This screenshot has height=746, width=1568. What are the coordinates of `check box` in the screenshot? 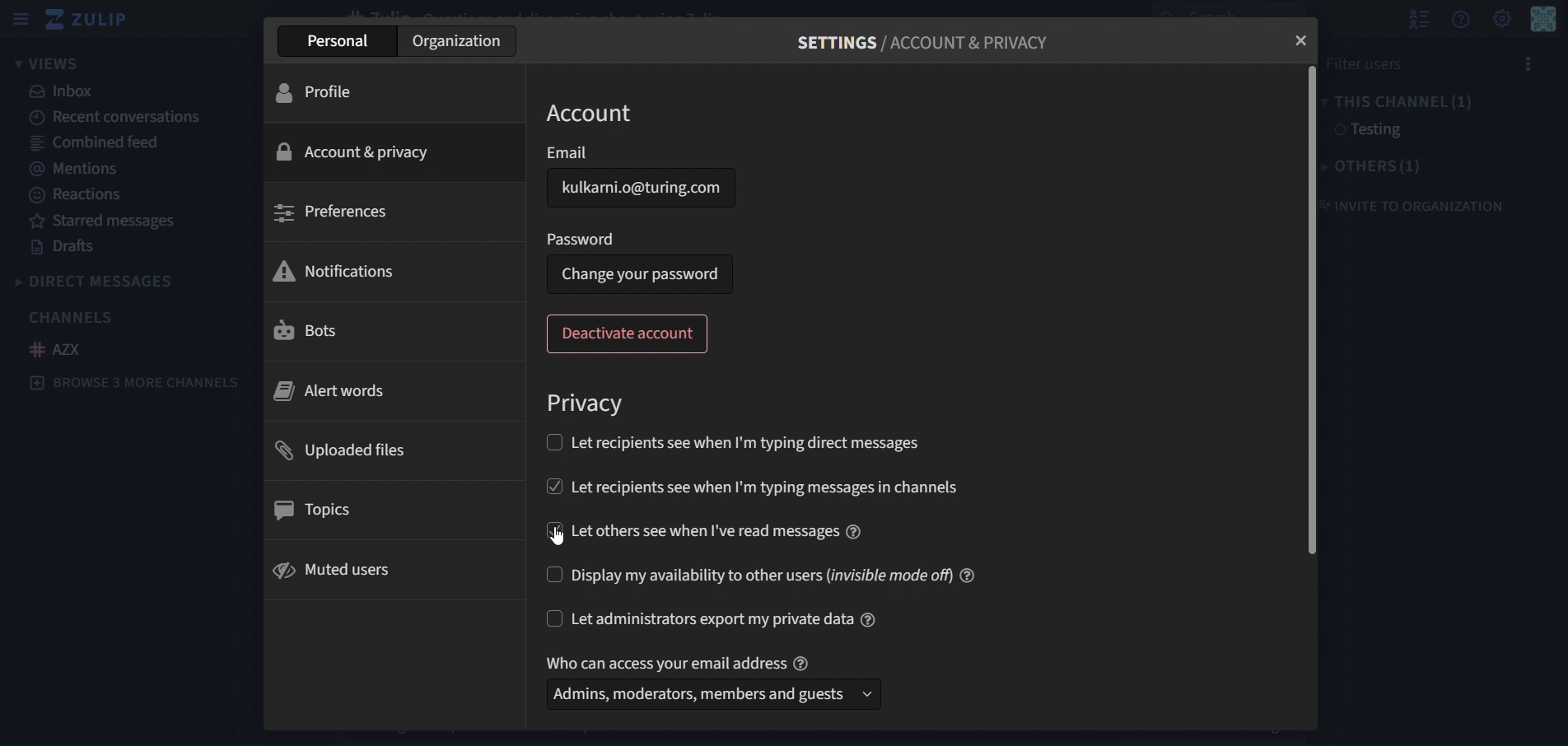 It's located at (551, 442).